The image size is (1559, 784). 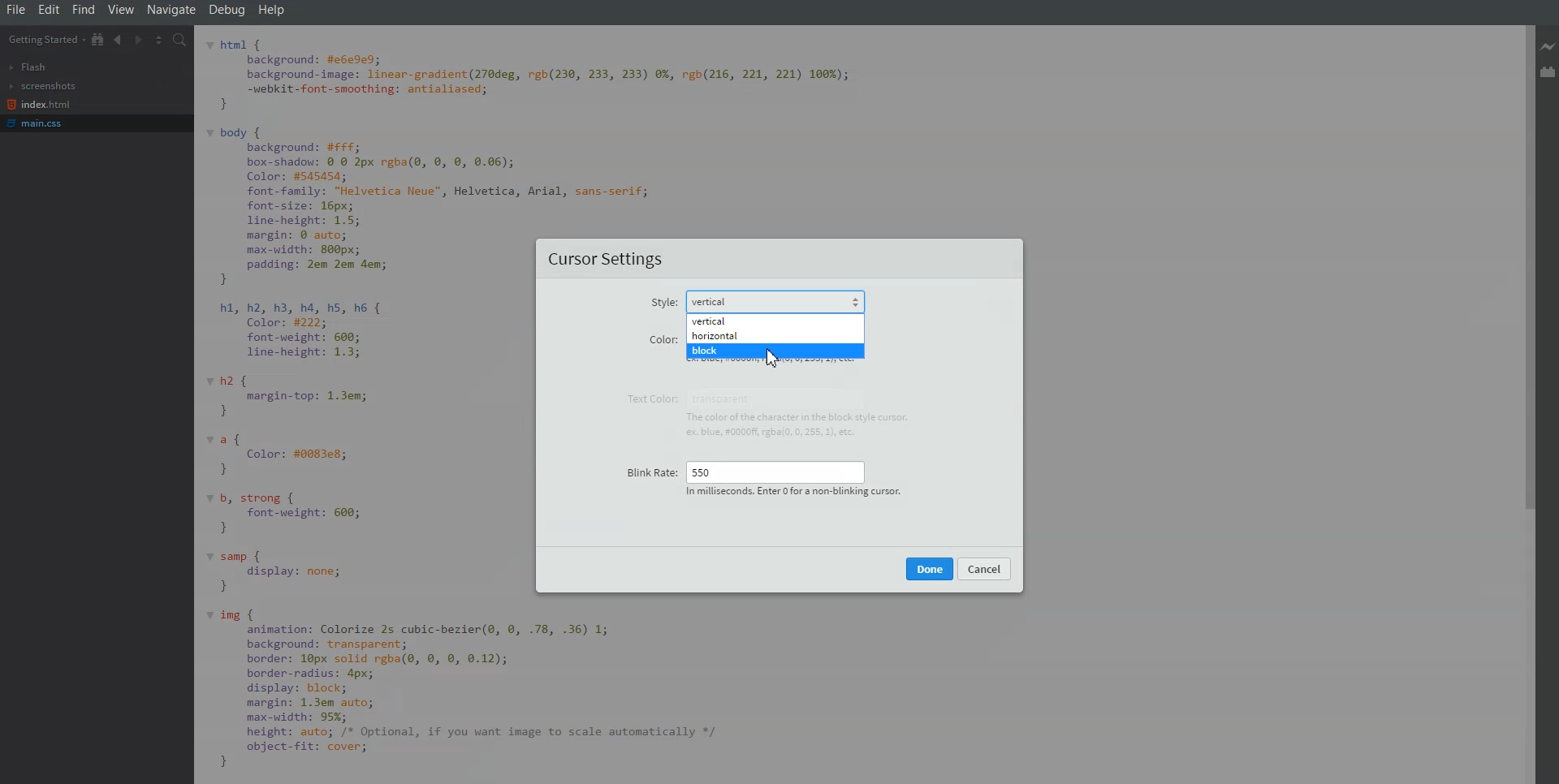 I want to click on Cancel, so click(x=985, y=568).